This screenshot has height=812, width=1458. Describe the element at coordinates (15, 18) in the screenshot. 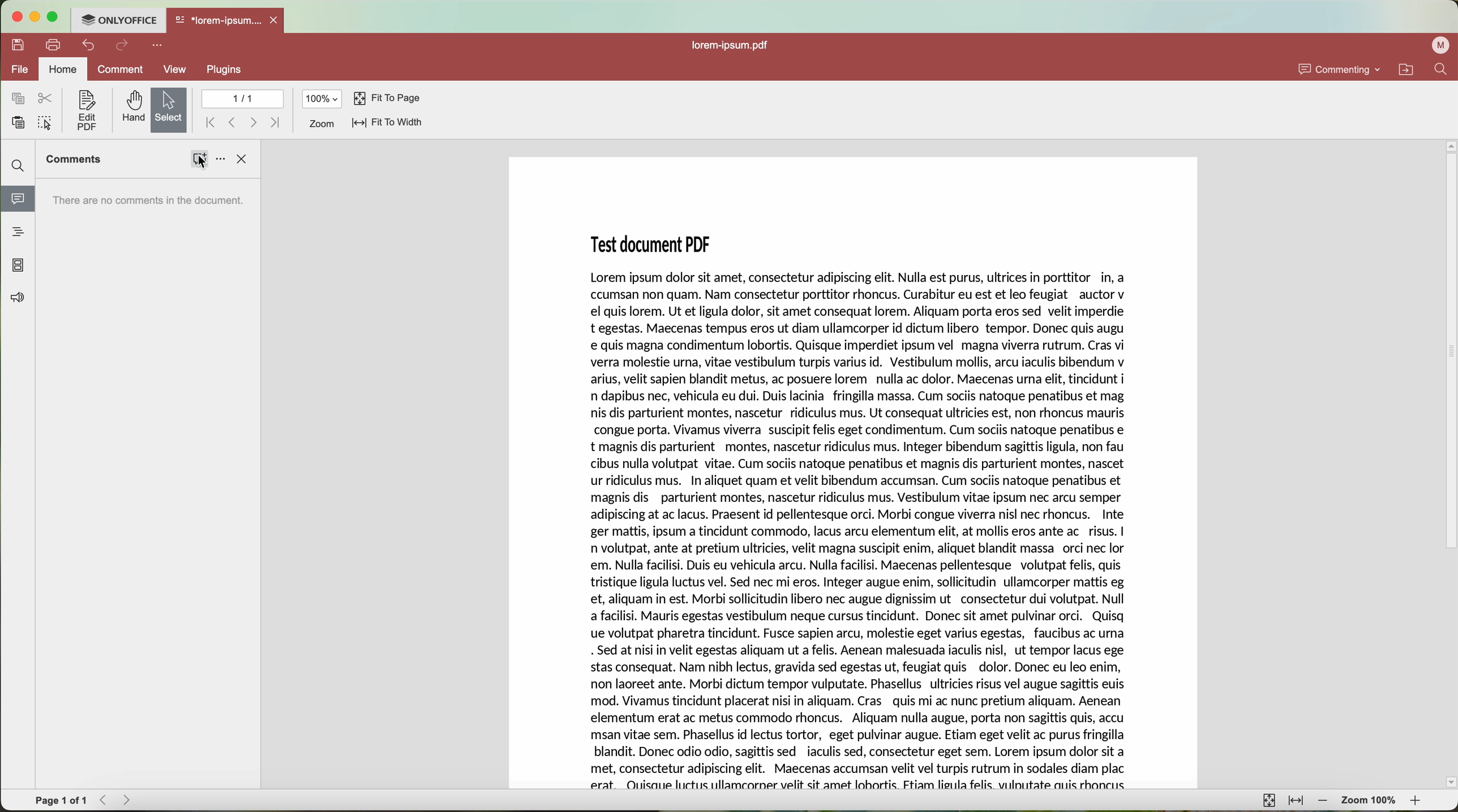

I see `close program` at that location.